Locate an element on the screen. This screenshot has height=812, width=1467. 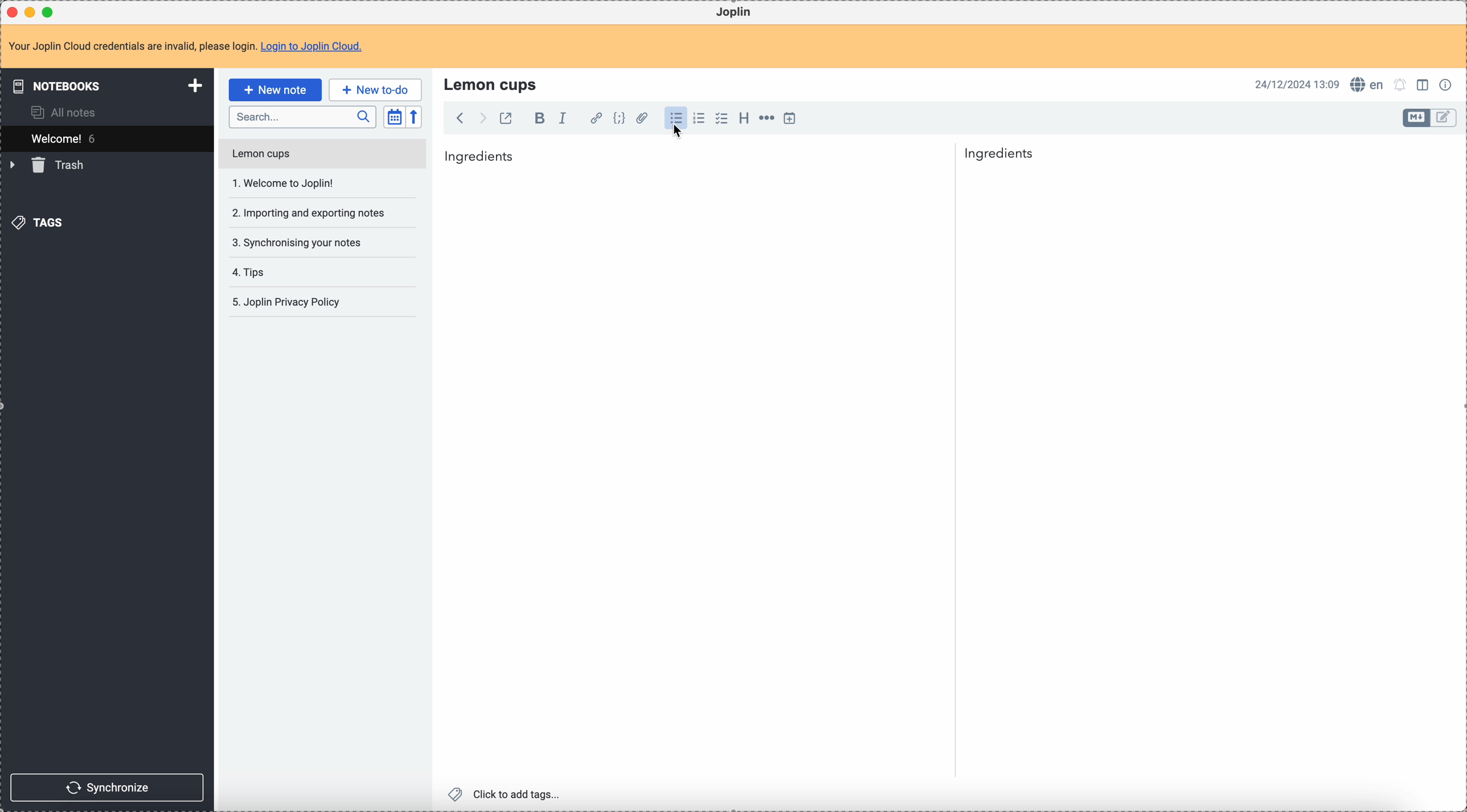
bold is located at coordinates (536, 119).